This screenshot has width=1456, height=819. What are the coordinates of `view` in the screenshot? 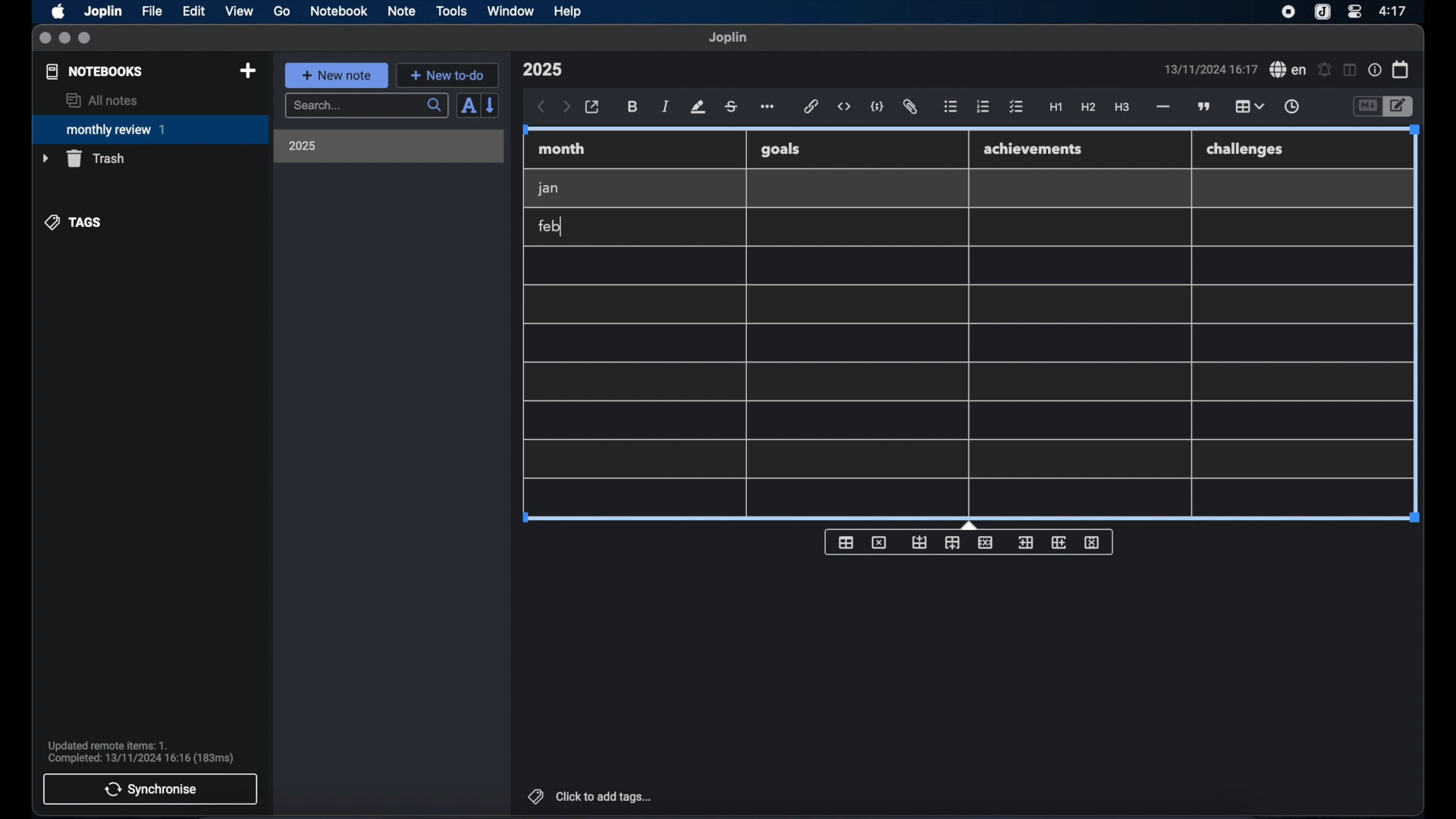 It's located at (239, 11).